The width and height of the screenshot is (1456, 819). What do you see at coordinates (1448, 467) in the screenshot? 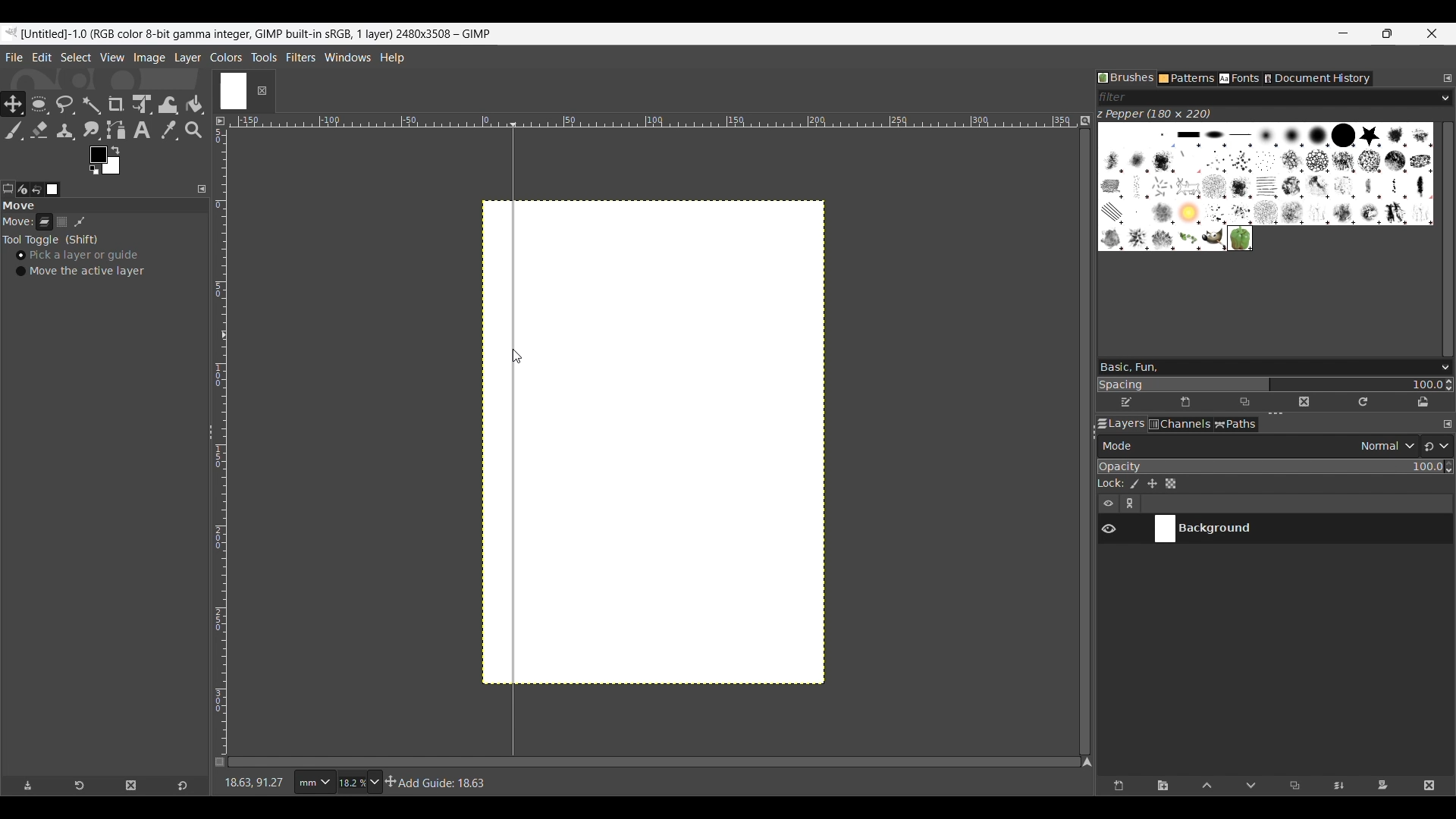
I see `Increase/Decrease opacity` at bounding box center [1448, 467].